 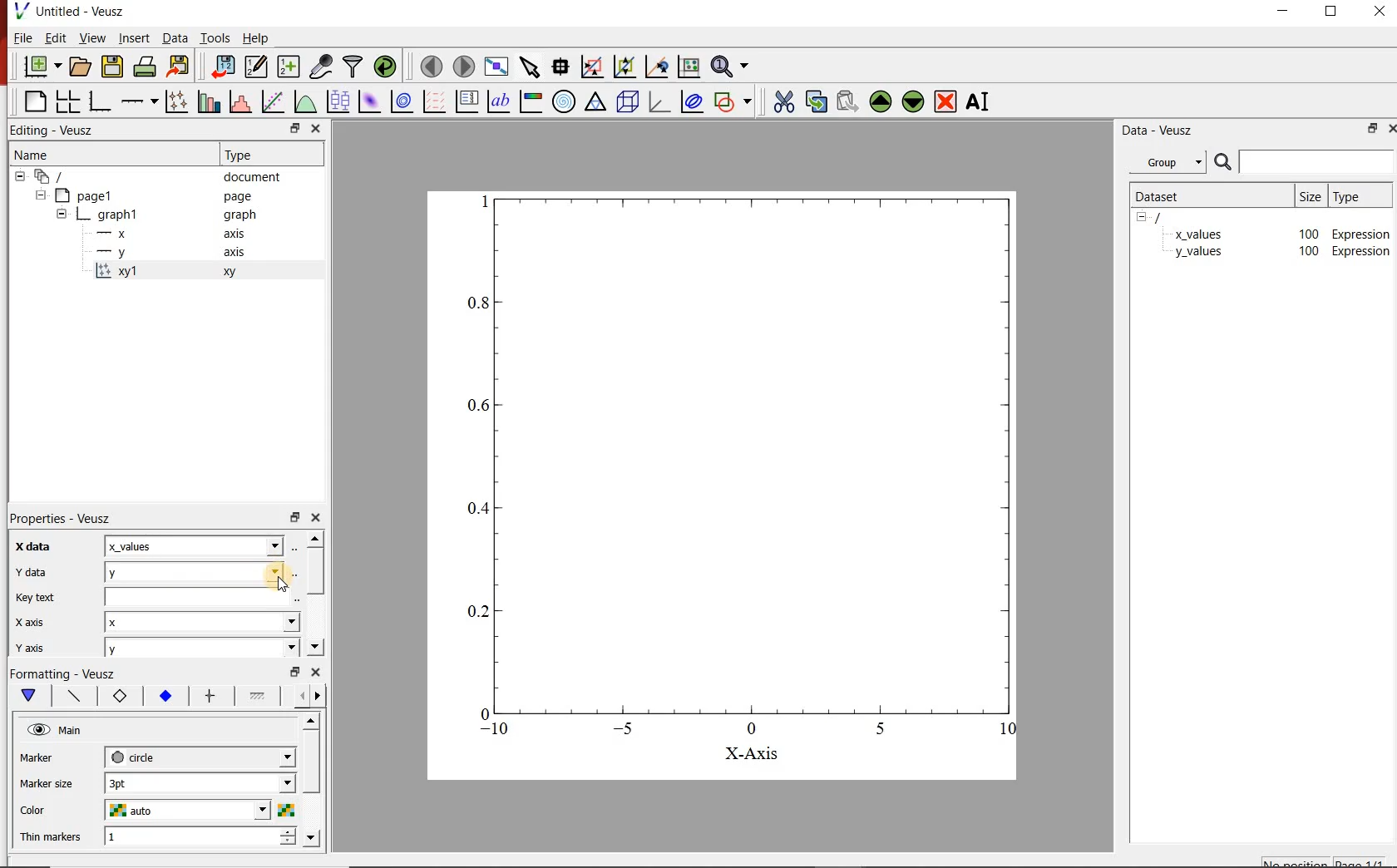 What do you see at coordinates (165, 695) in the screenshot?
I see `marker fill` at bounding box center [165, 695].